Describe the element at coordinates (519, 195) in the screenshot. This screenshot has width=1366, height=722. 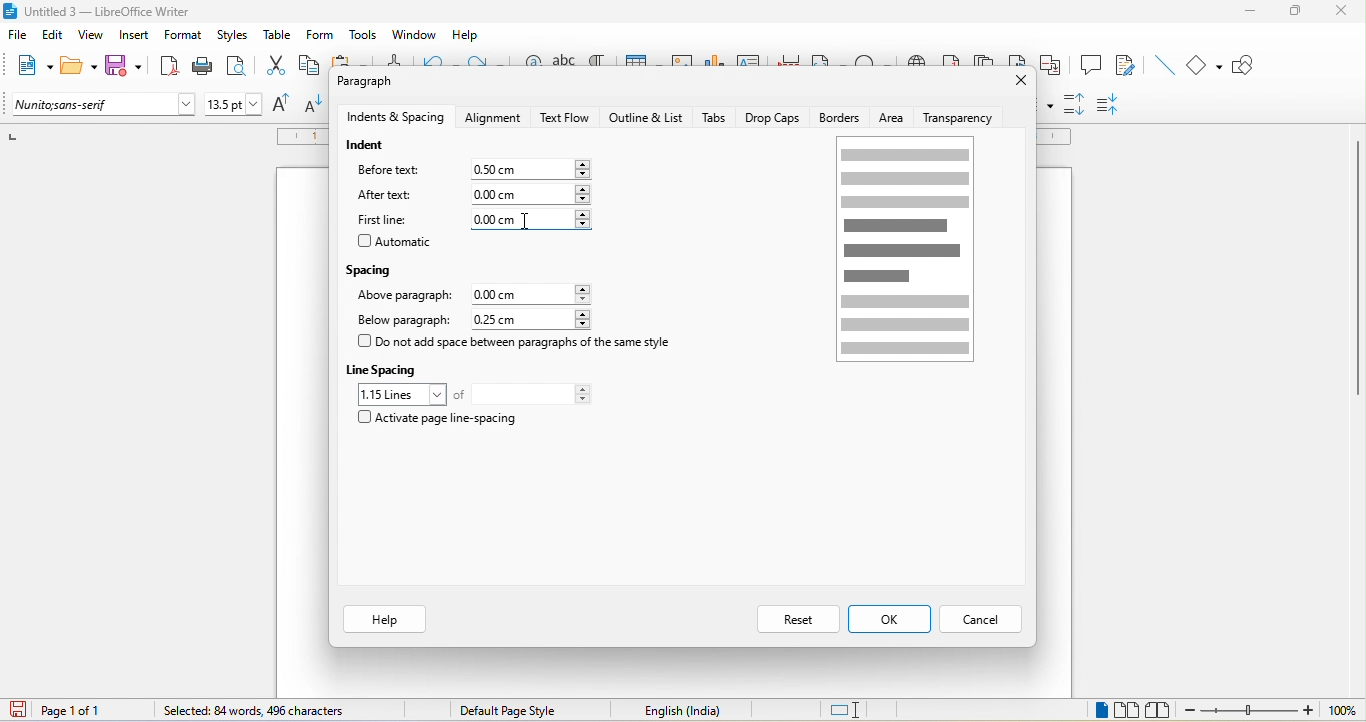
I see `0.00 cm` at that location.